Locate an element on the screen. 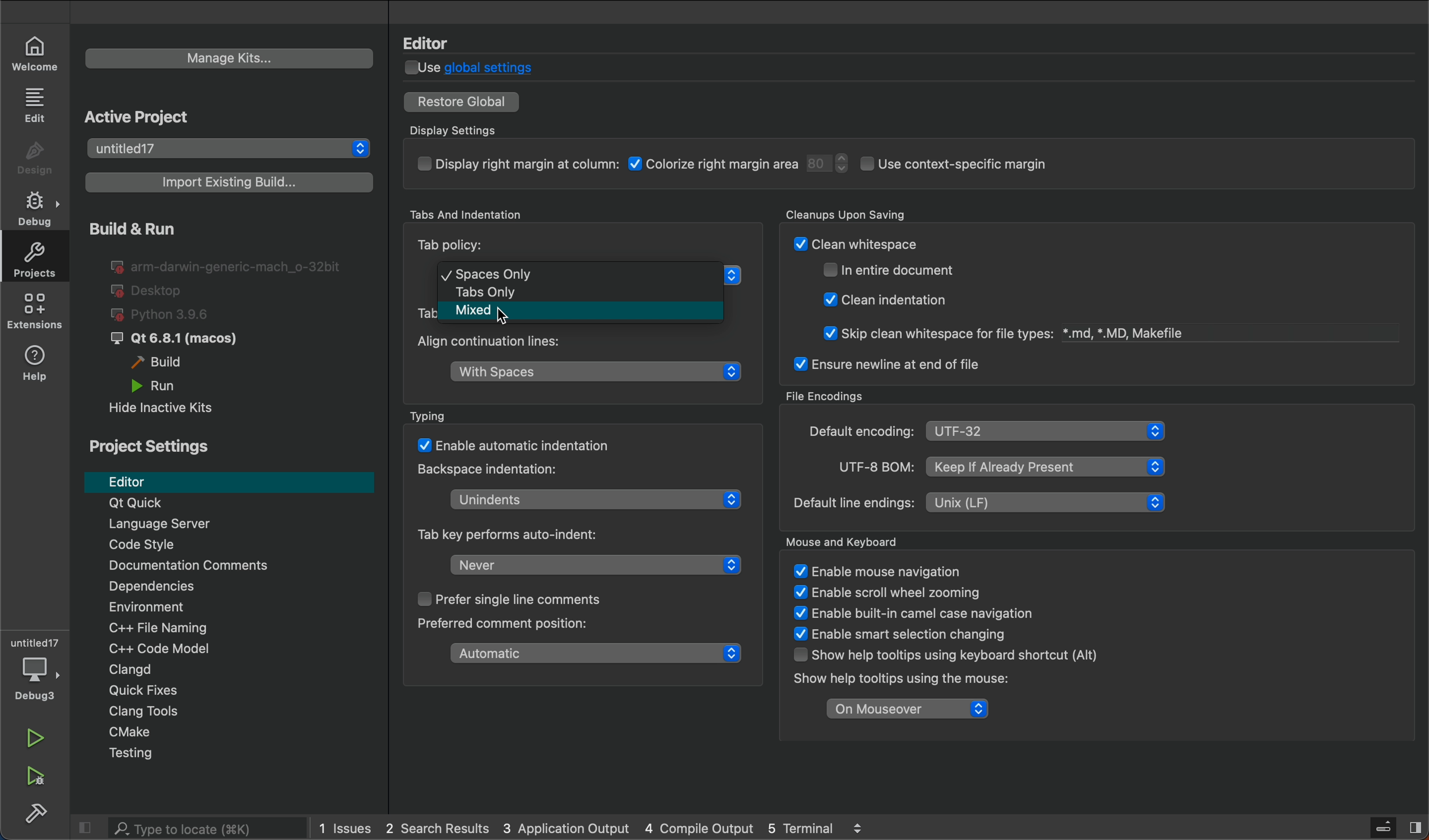 Image resolution: width=1429 pixels, height=840 pixels. build is located at coordinates (39, 817).